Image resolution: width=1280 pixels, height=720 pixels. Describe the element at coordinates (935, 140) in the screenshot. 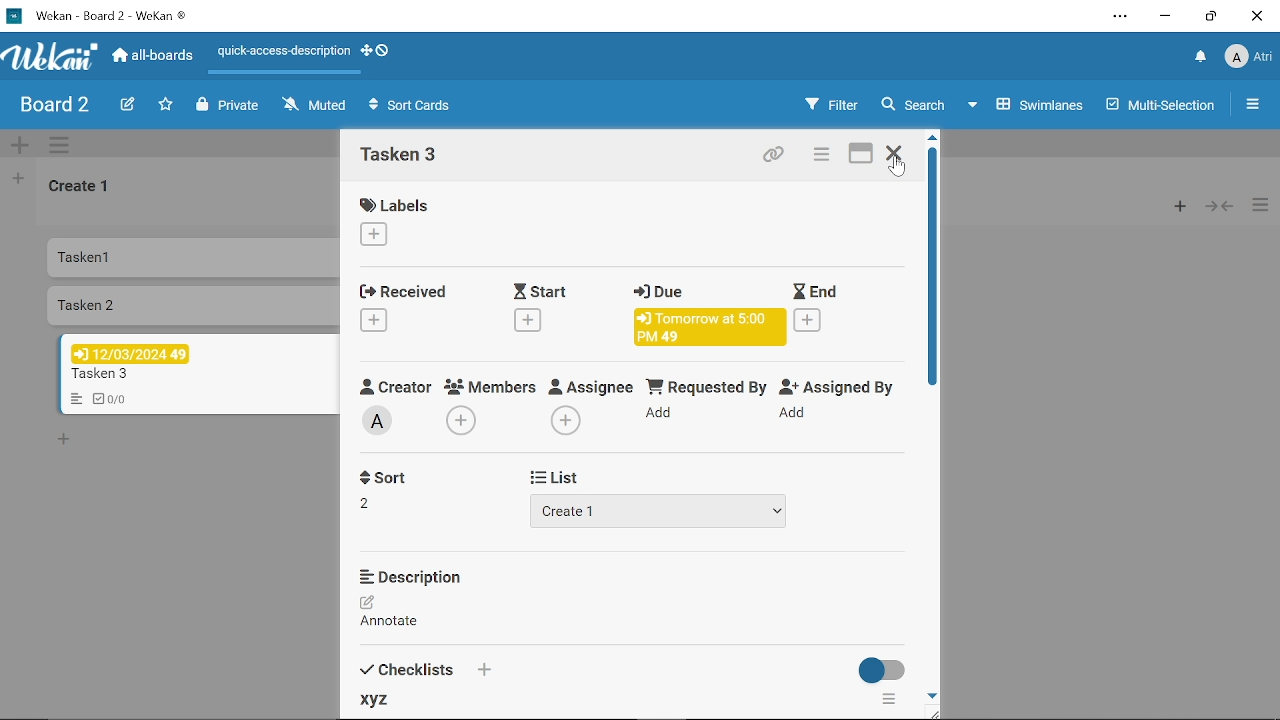

I see `move up` at that location.